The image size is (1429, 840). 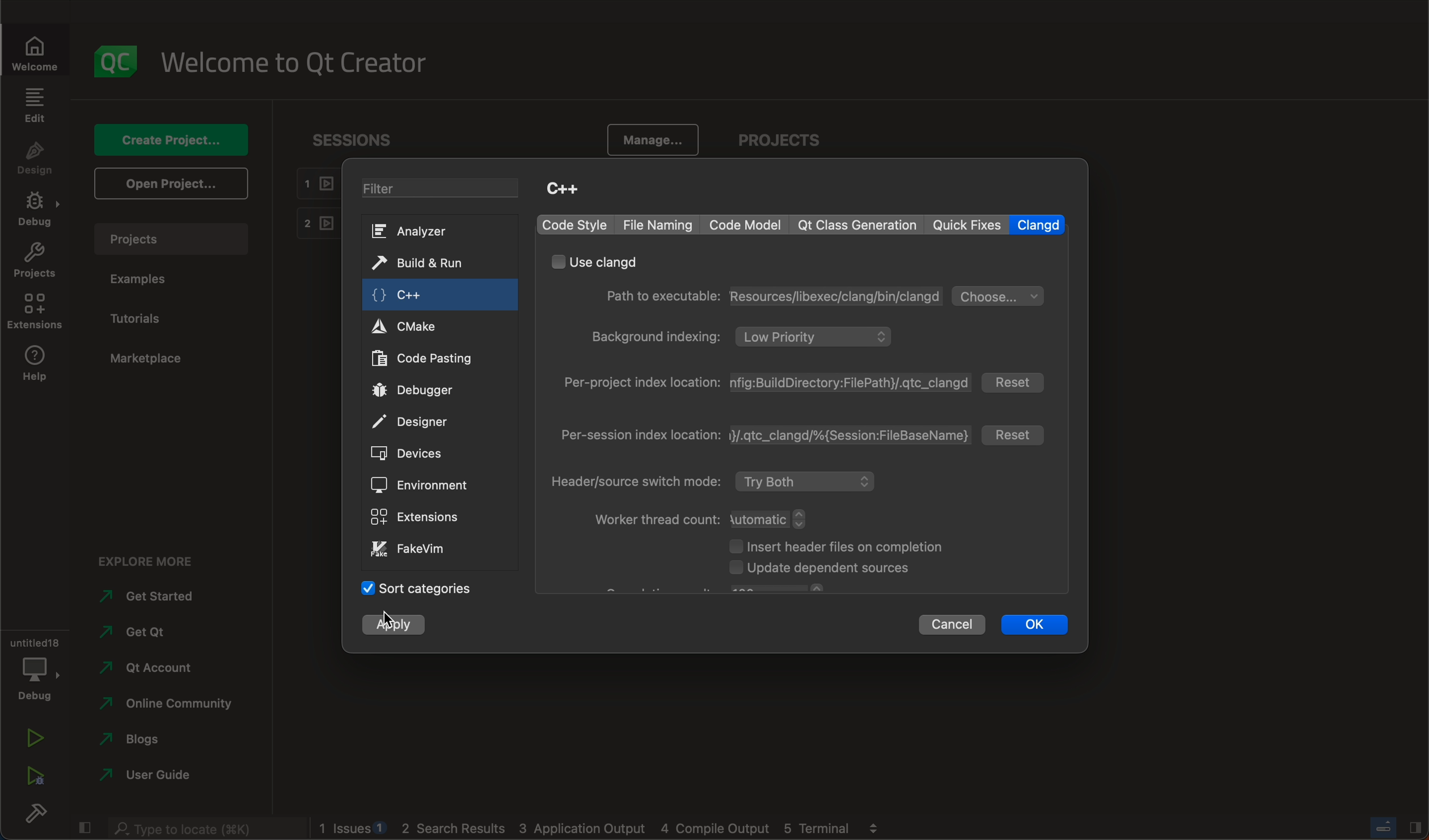 What do you see at coordinates (117, 62) in the screenshot?
I see `logo` at bounding box center [117, 62].